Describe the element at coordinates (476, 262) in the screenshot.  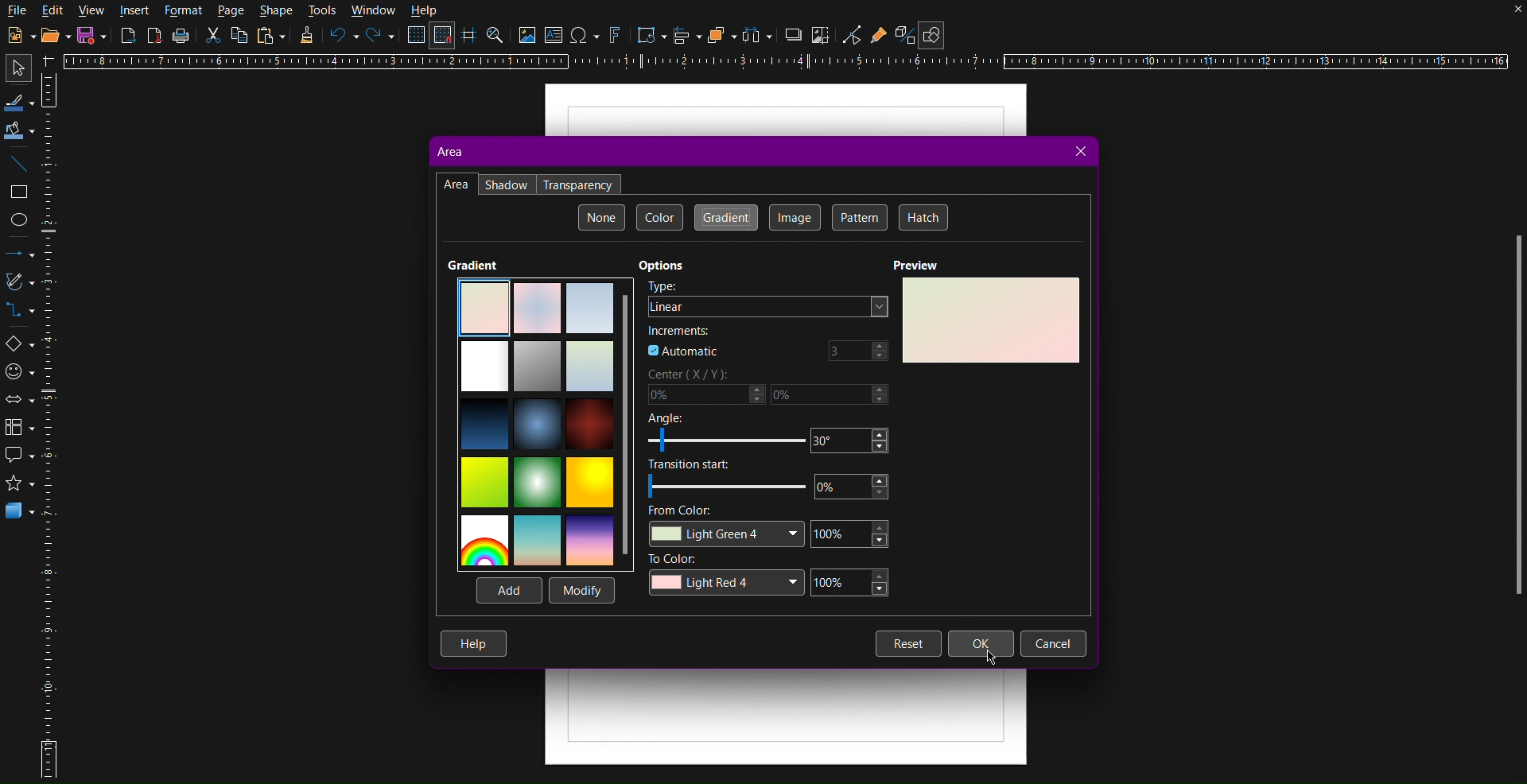
I see `Gradient` at that location.